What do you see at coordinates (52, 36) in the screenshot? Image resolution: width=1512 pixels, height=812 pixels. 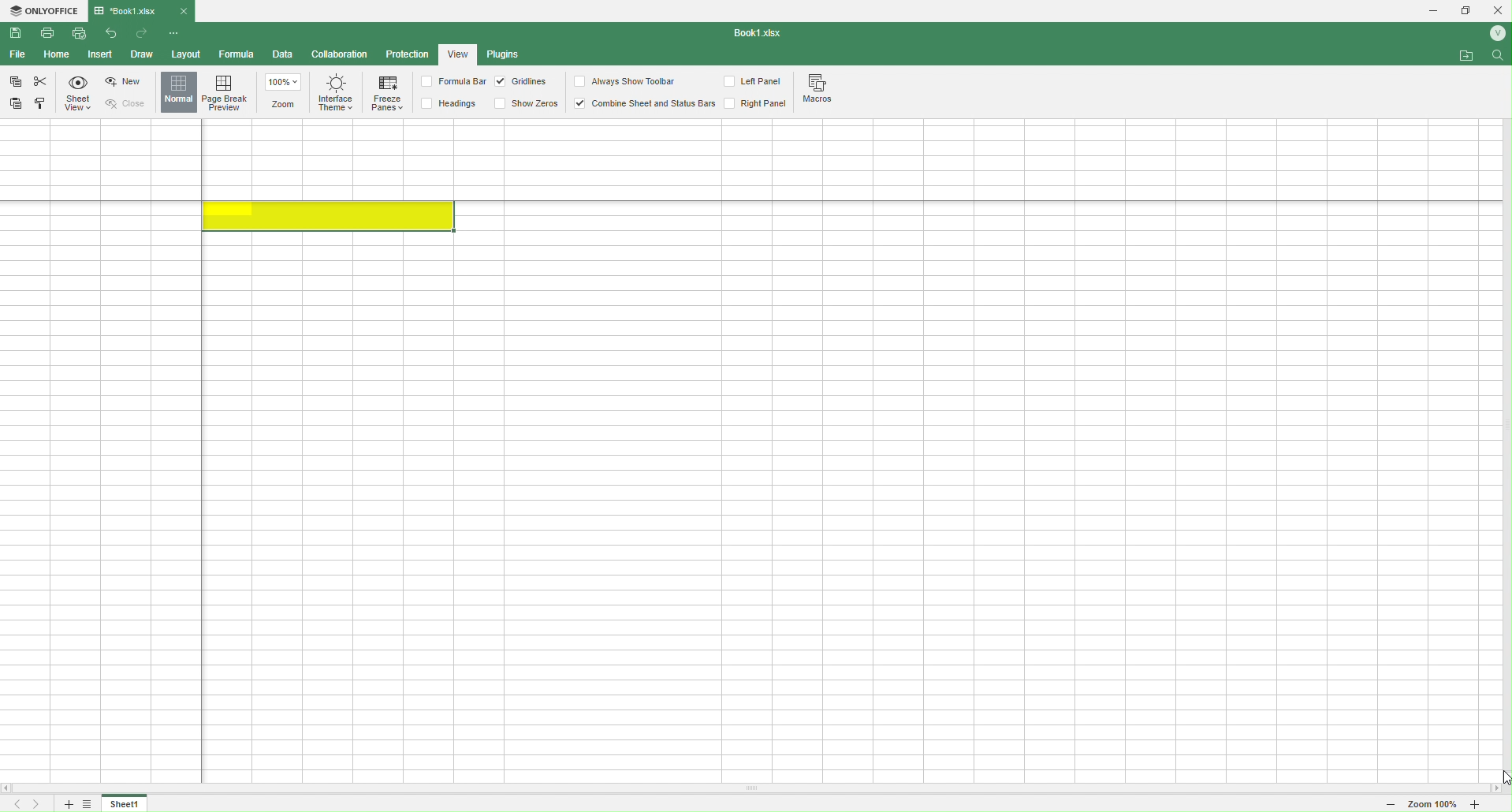 I see `Print File` at bounding box center [52, 36].